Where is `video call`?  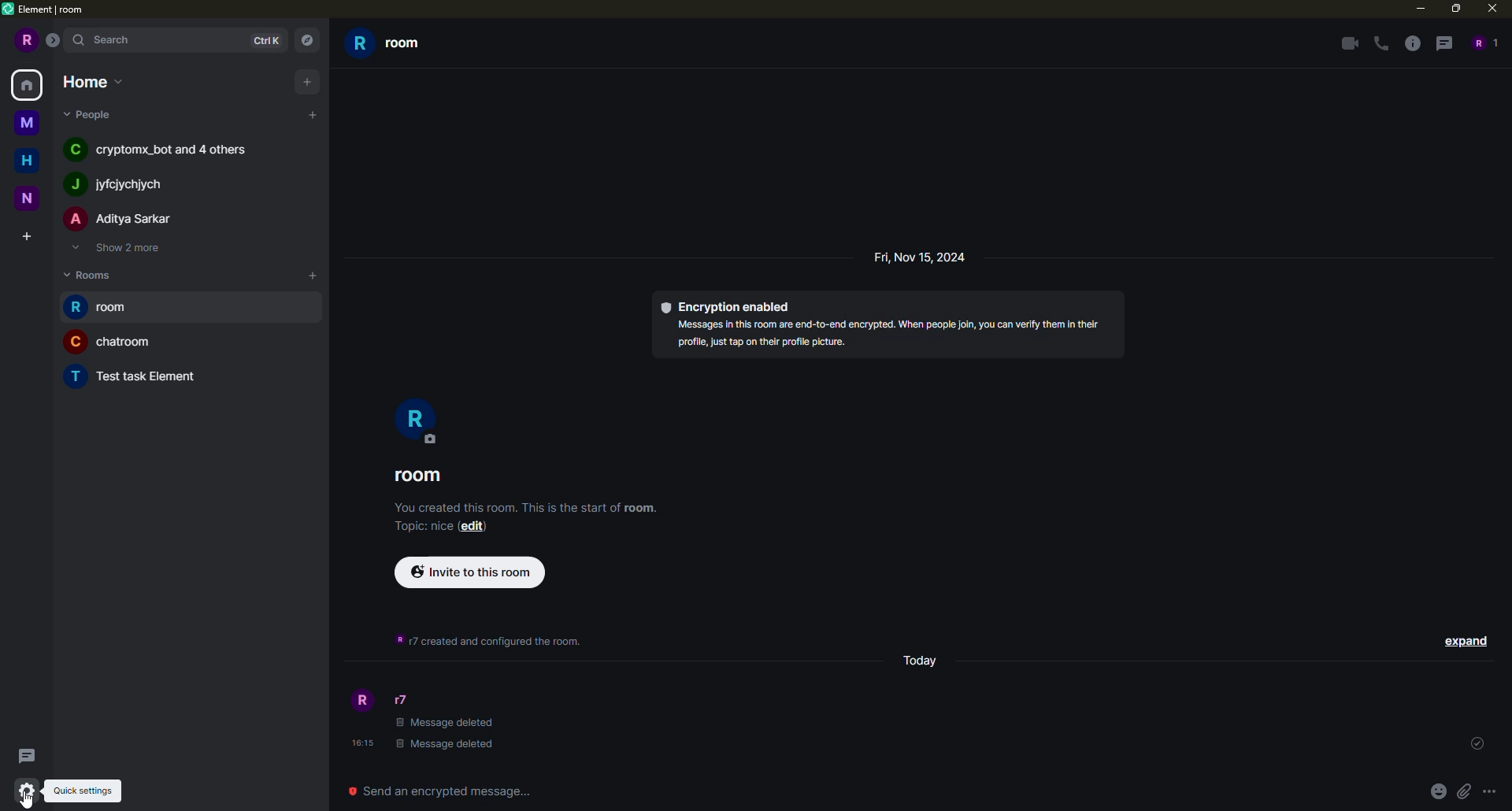 video call is located at coordinates (1347, 43).